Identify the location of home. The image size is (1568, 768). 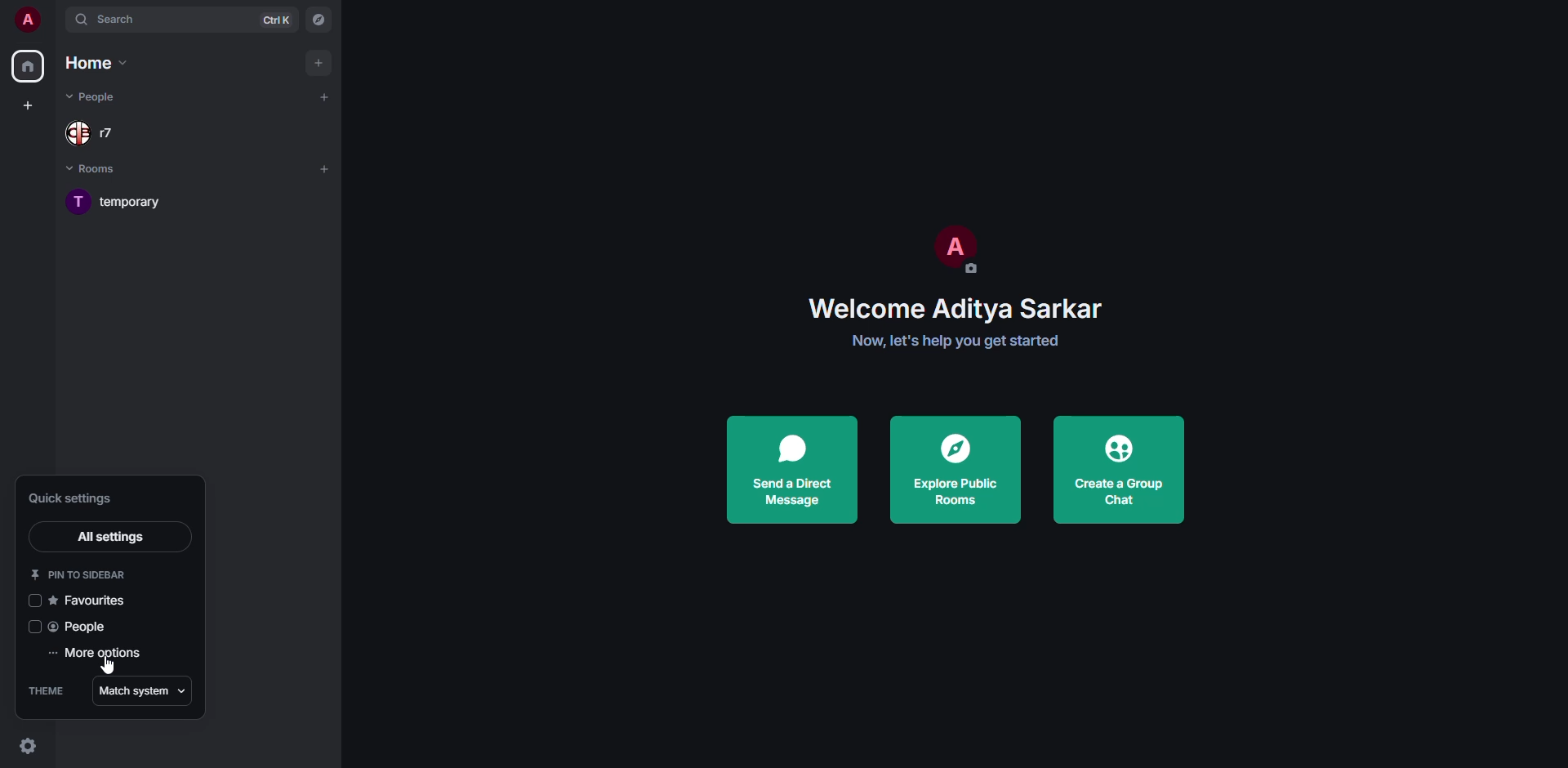
(28, 65).